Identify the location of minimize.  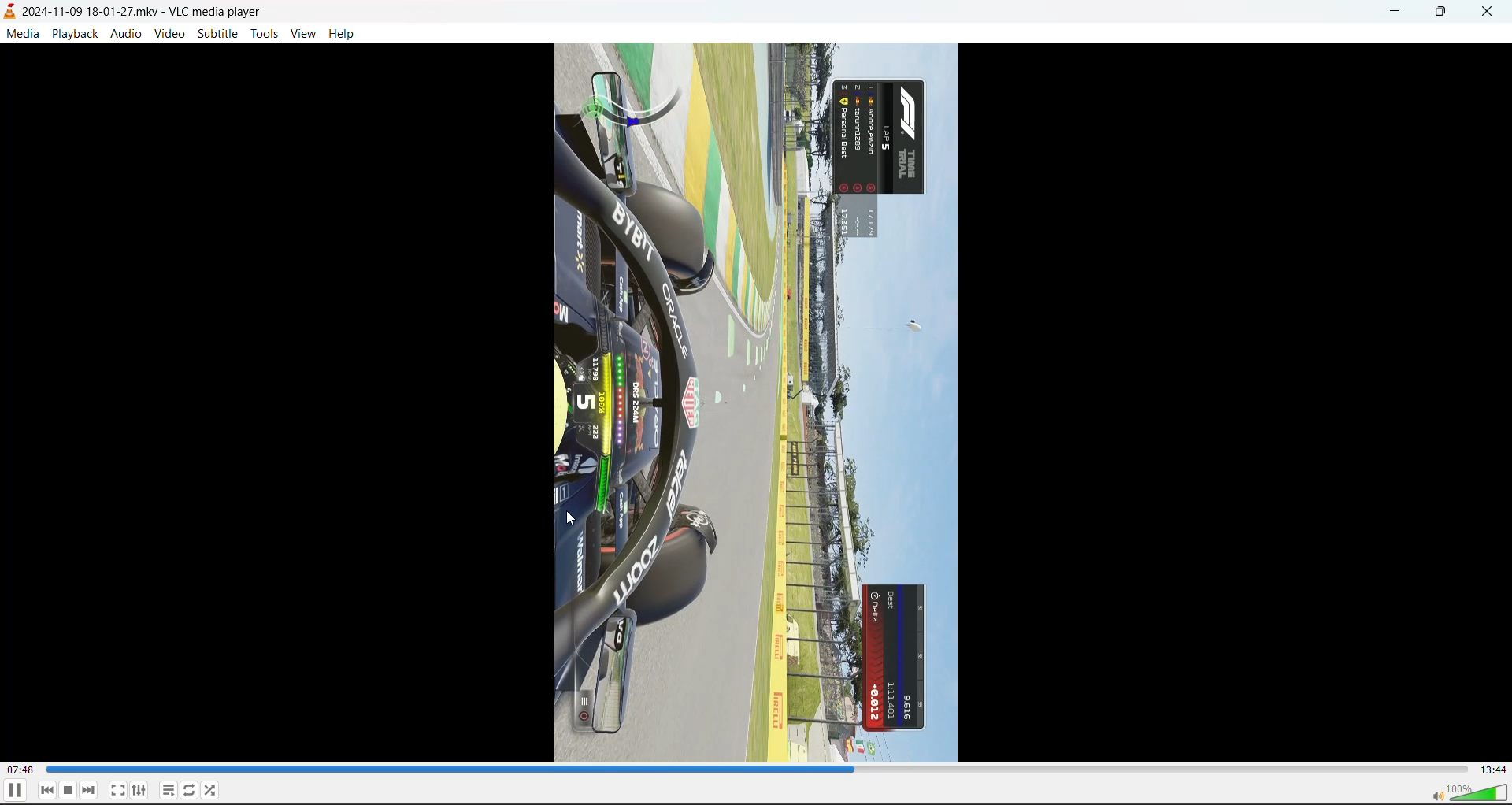
(1394, 13).